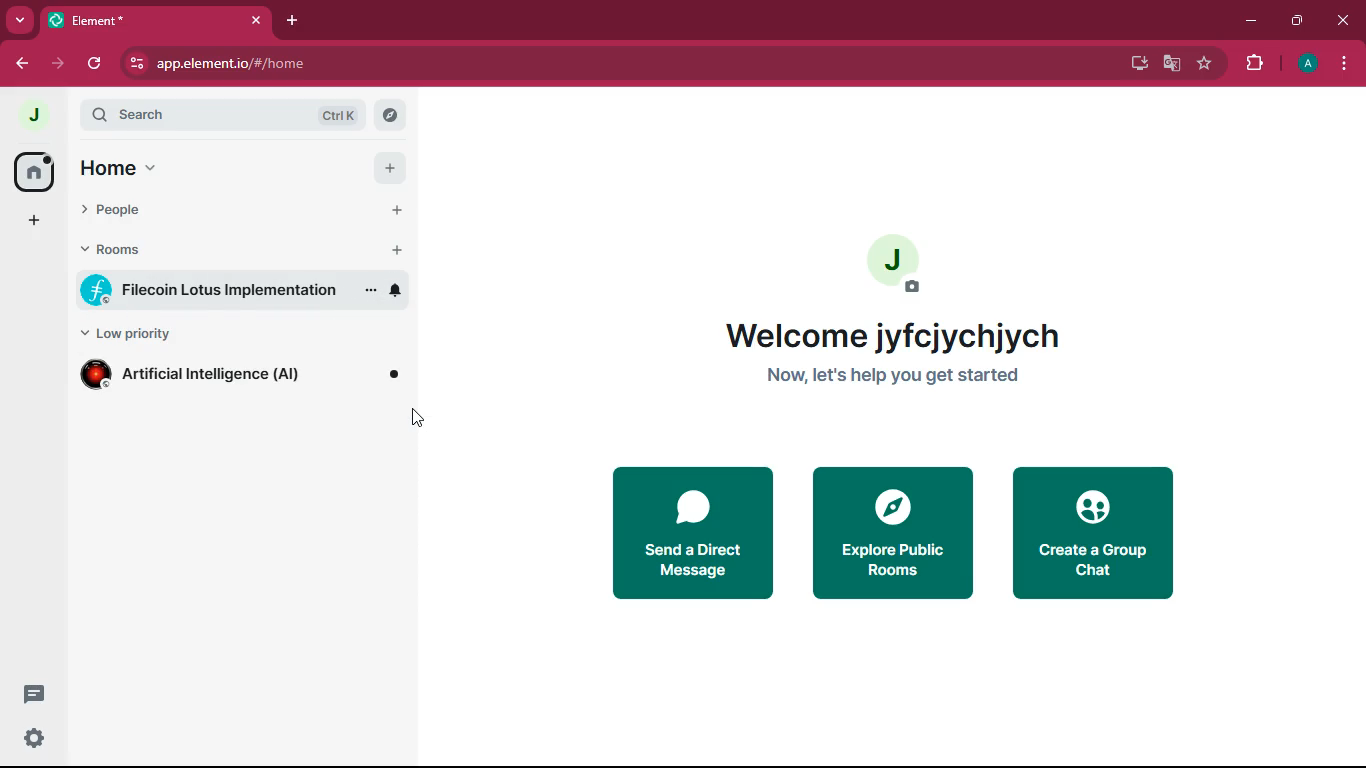 Image resolution: width=1366 pixels, height=768 pixels. Describe the element at coordinates (1093, 537) in the screenshot. I see `create group chate` at that location.